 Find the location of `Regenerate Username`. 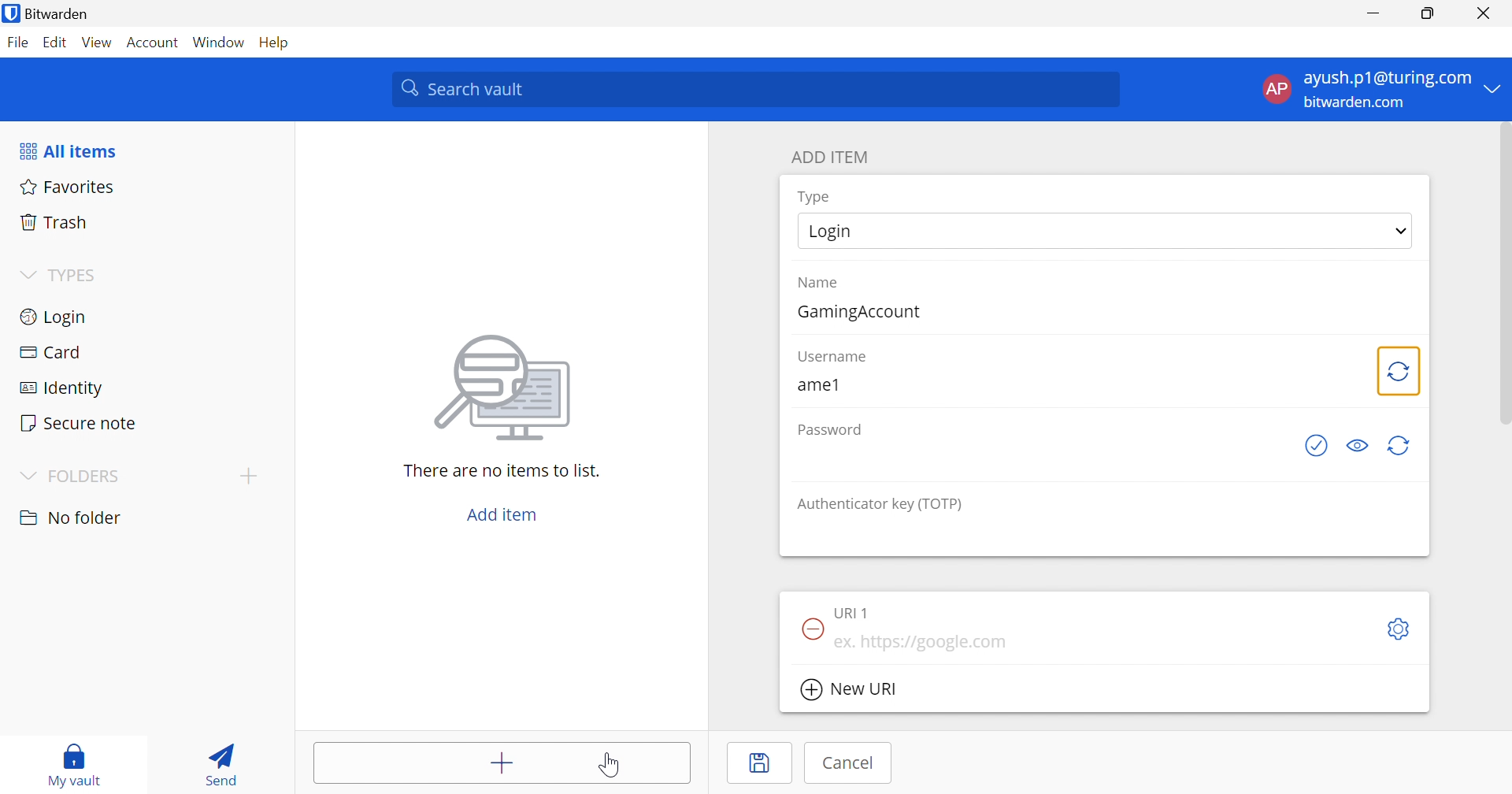

Regenerate Username is located at coordinates (1400, 371).